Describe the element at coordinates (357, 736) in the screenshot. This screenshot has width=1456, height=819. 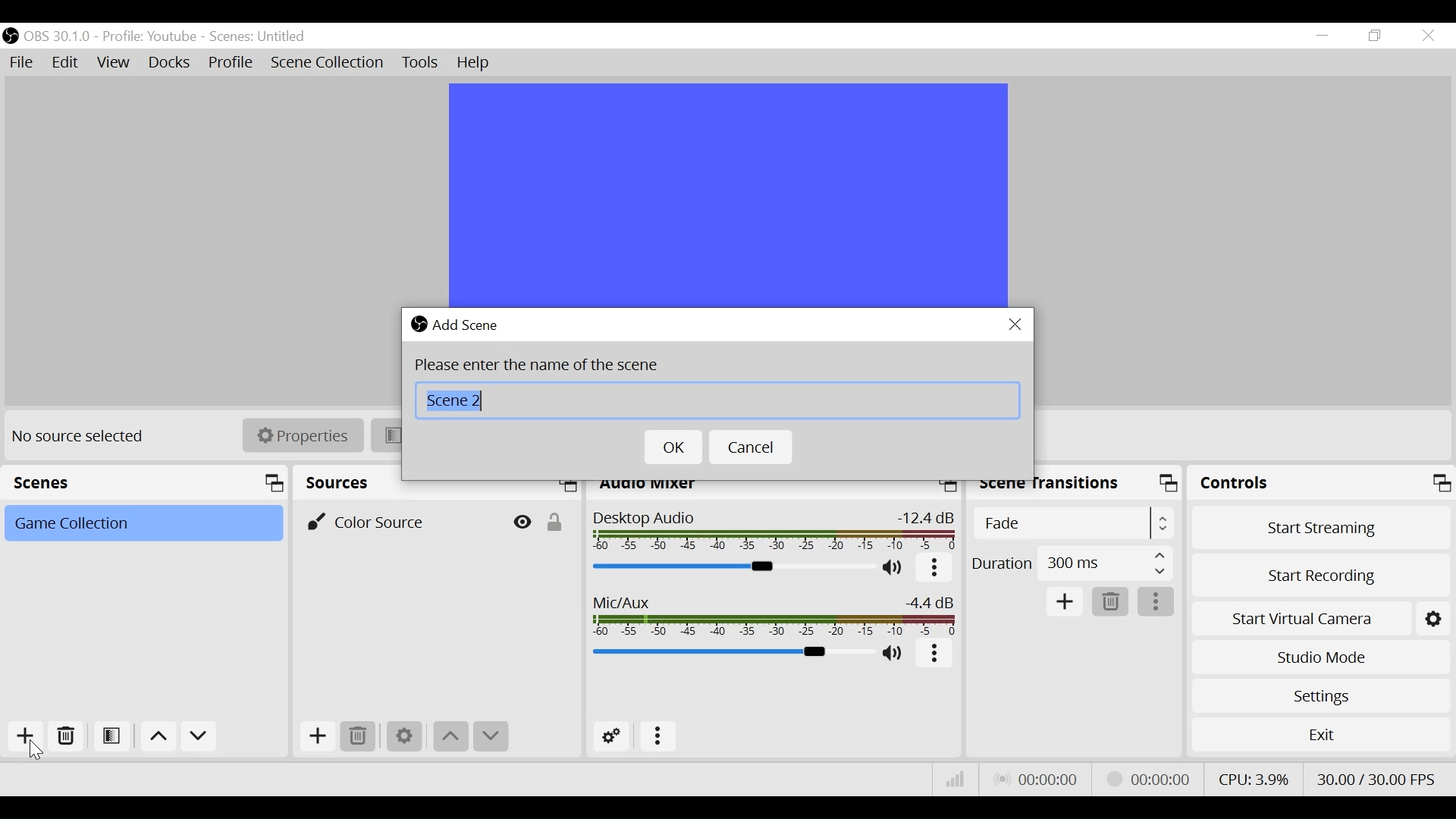
I see `Delete` at that location.